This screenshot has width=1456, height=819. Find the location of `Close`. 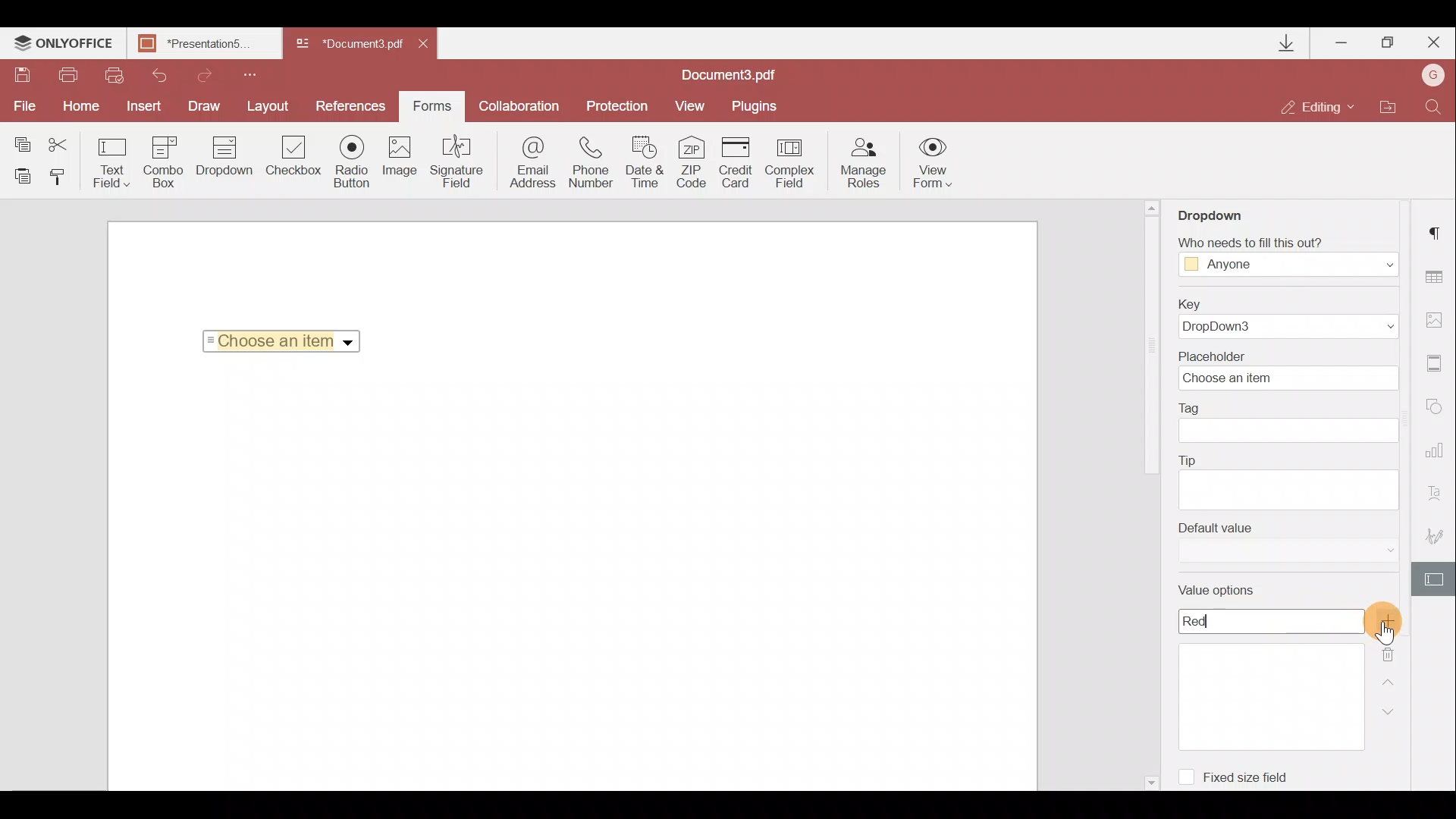

Close is located at coordinates (1432, 43).